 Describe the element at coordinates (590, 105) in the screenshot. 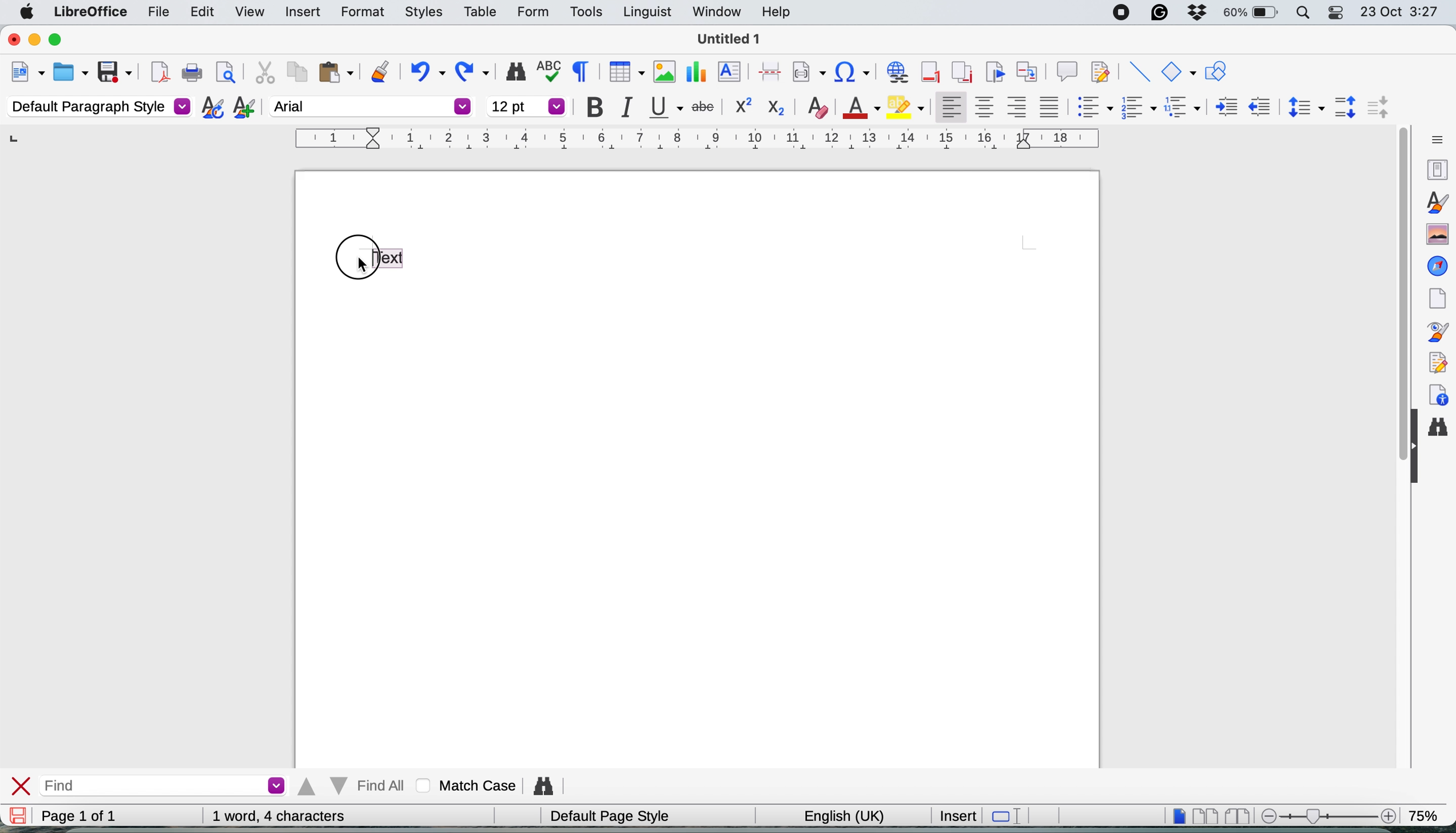

I see `bold` at that location.